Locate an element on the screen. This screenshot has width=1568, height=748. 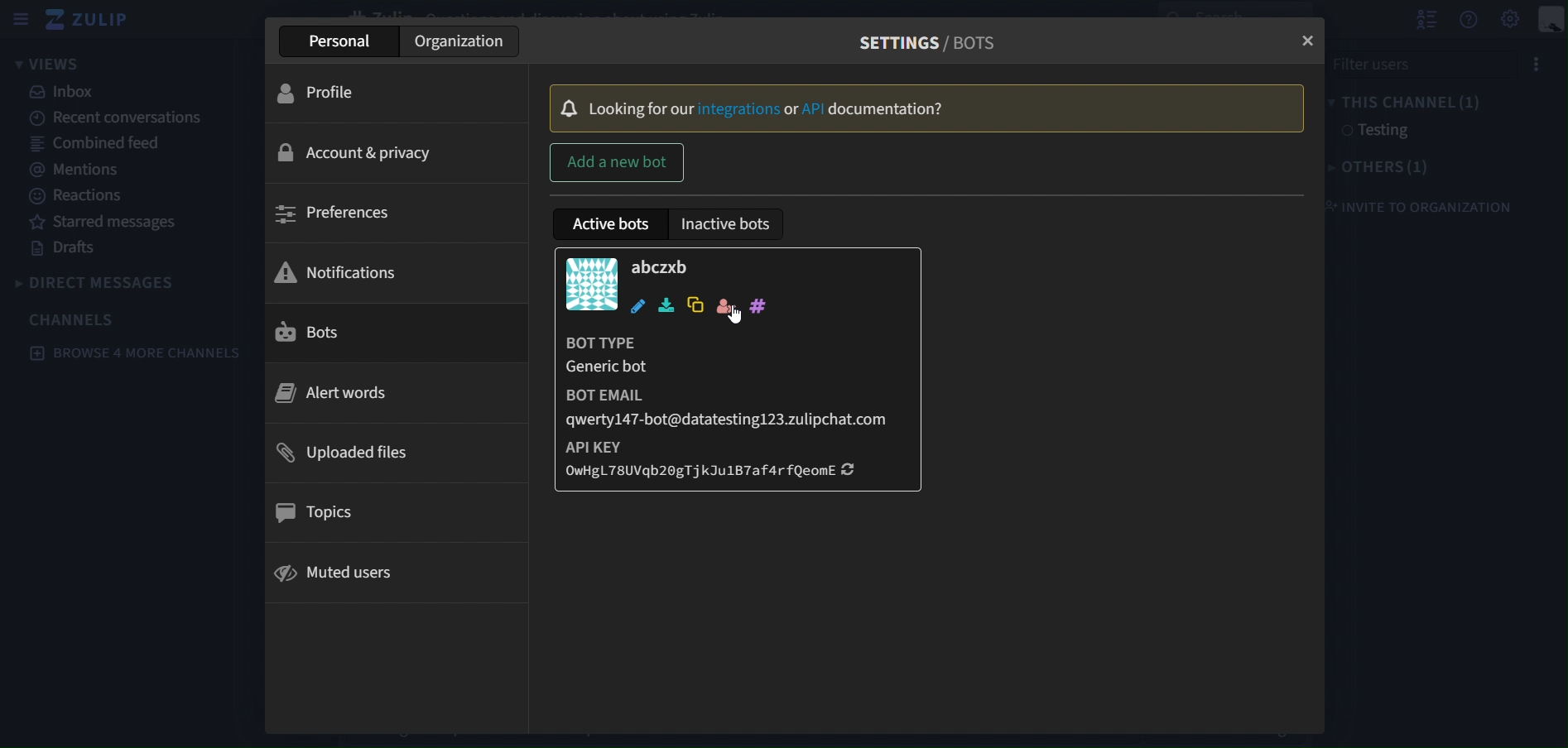
subscribed channels is located at coordinates (758, 304).